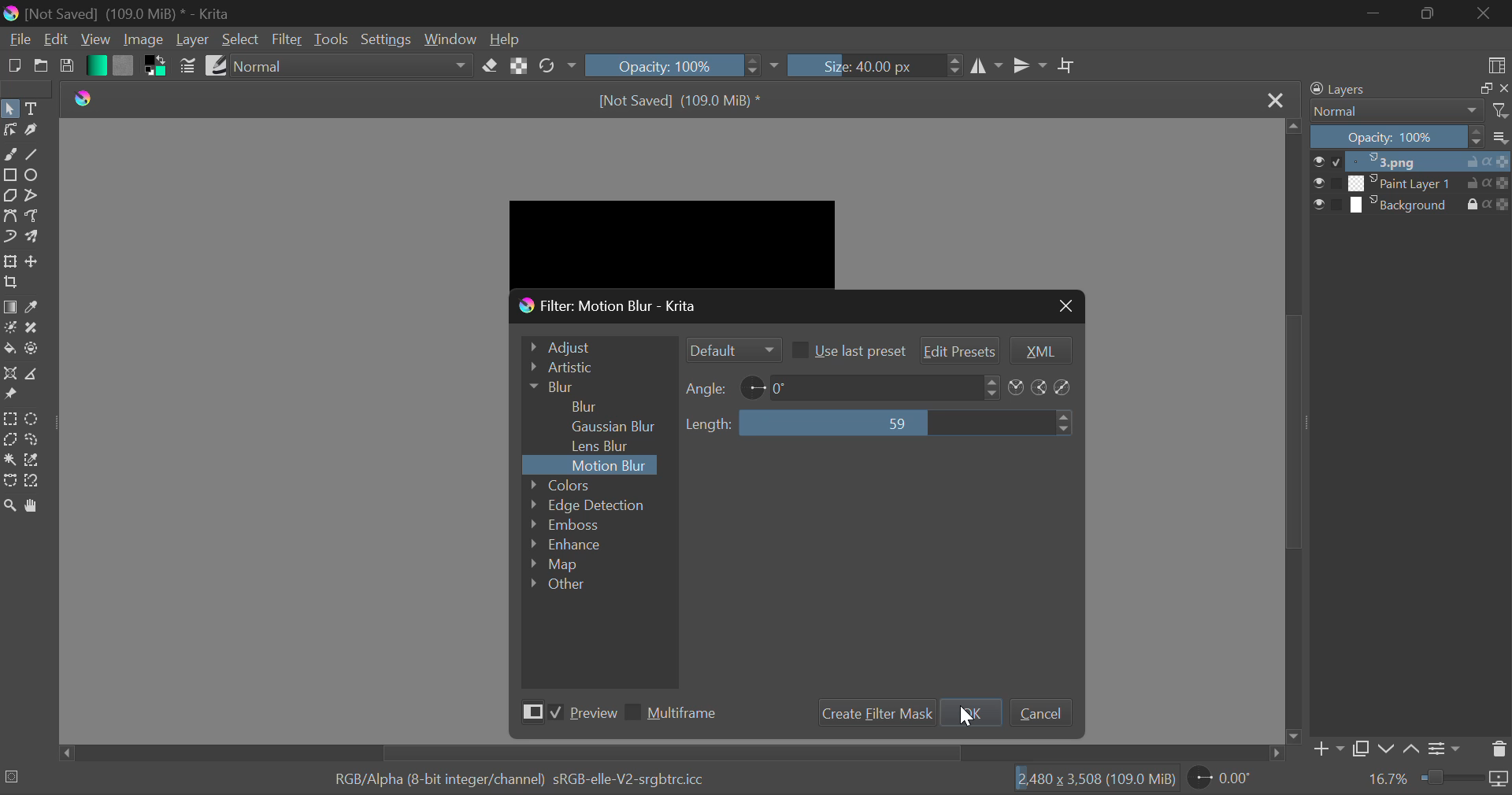  What do you see at coordinates (9, 374) in the screenshot?
I see `Assistant Tool` at bounding box center [9, 374].